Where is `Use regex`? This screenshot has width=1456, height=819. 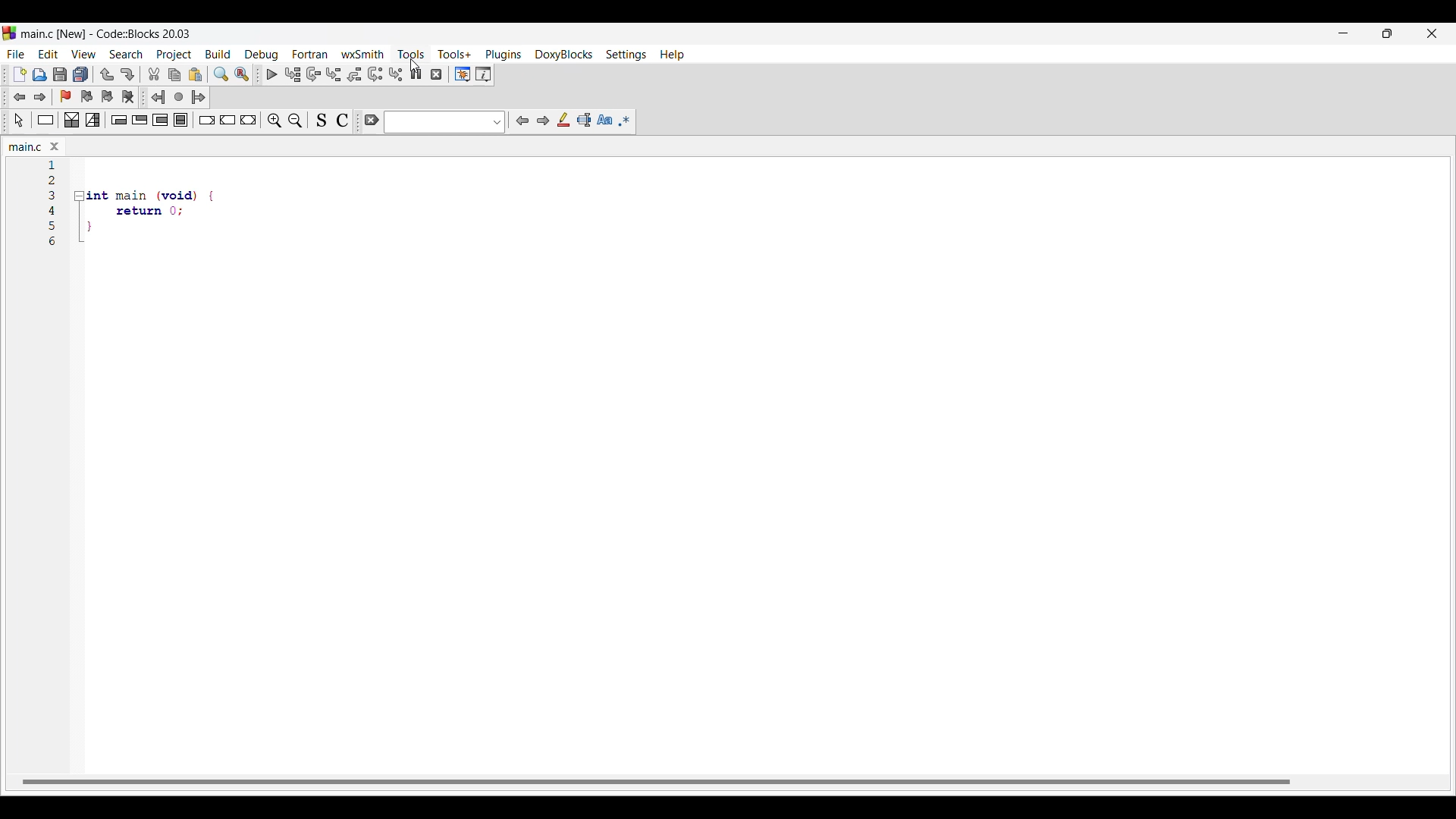
Use regex is located at coordinates (625, 121).